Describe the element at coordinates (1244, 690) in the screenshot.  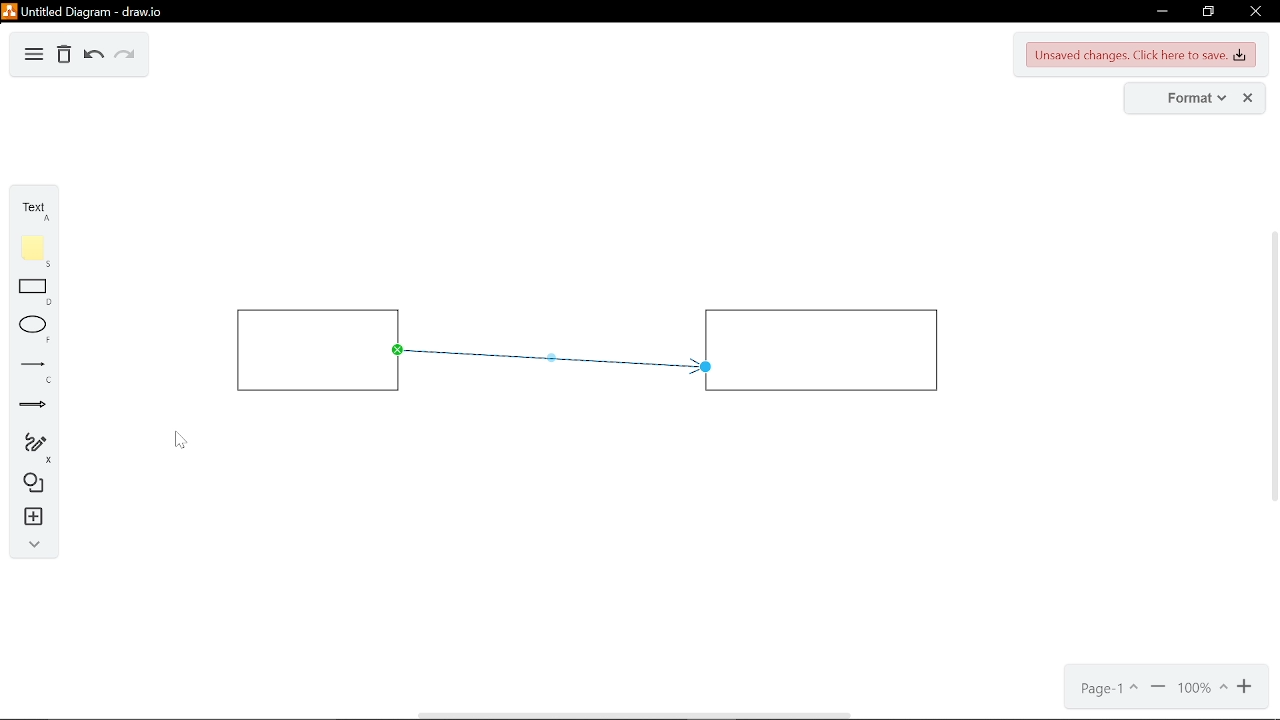
I see `zoom in` at that location.